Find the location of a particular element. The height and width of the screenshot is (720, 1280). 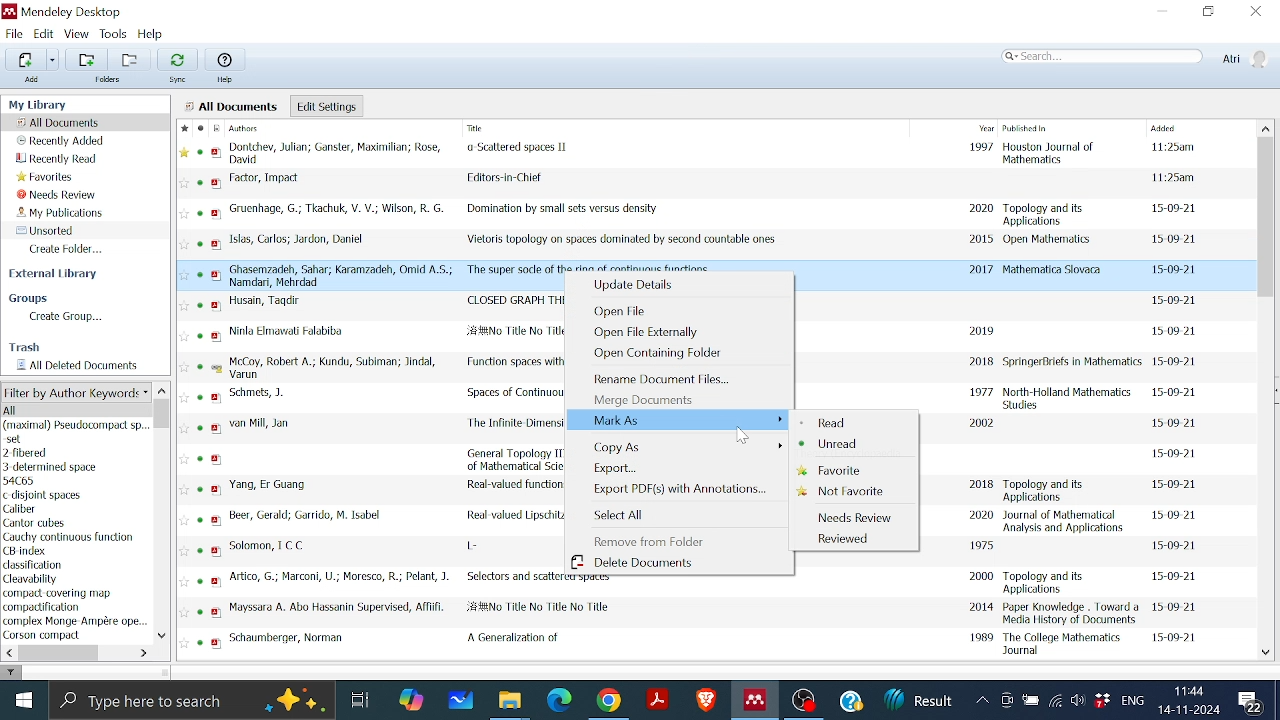

Select All is located at coordinates (642, 513).